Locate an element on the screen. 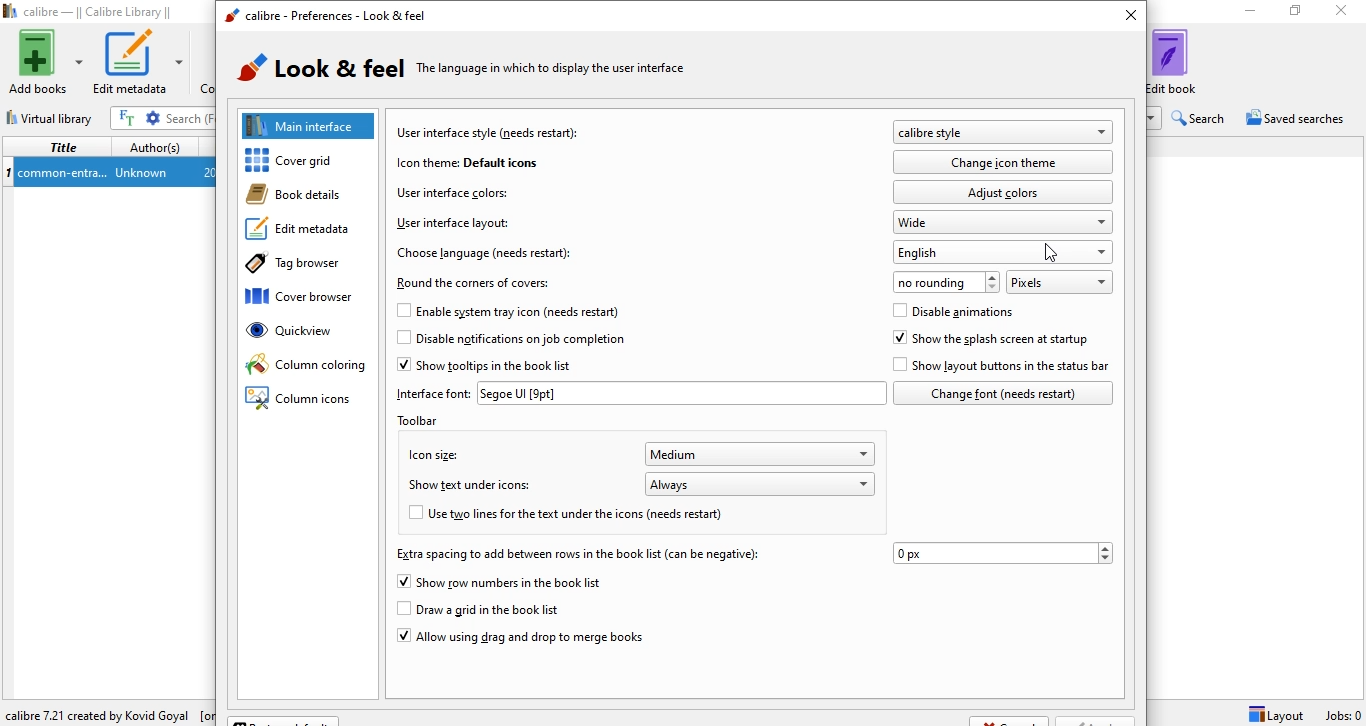 The width and height of the screenshot is (1366, 726). draw a grid in the book list is located at coordinates (495, 610).